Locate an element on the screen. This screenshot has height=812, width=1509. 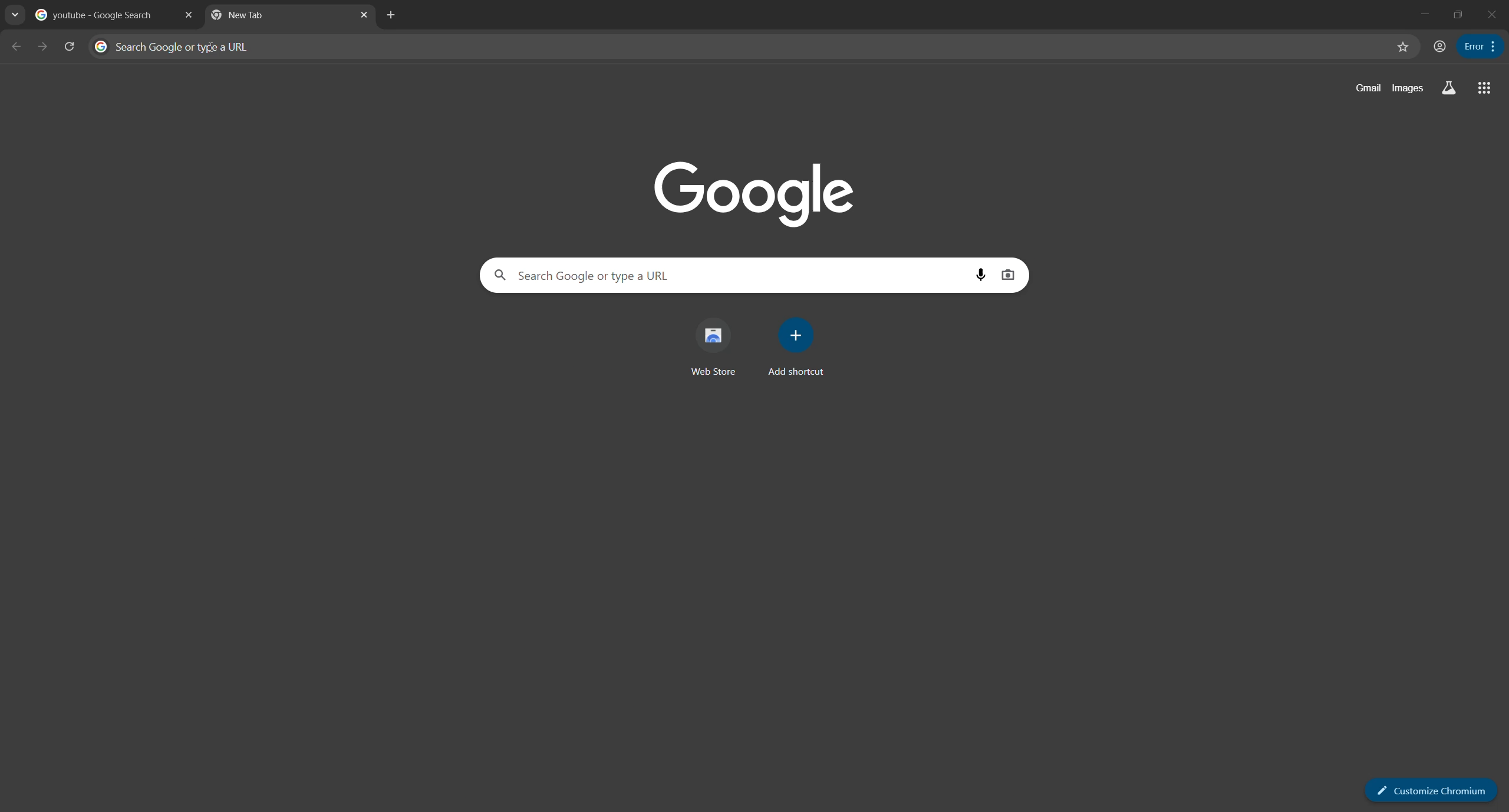
close tab is located at coordinates (367, 16).